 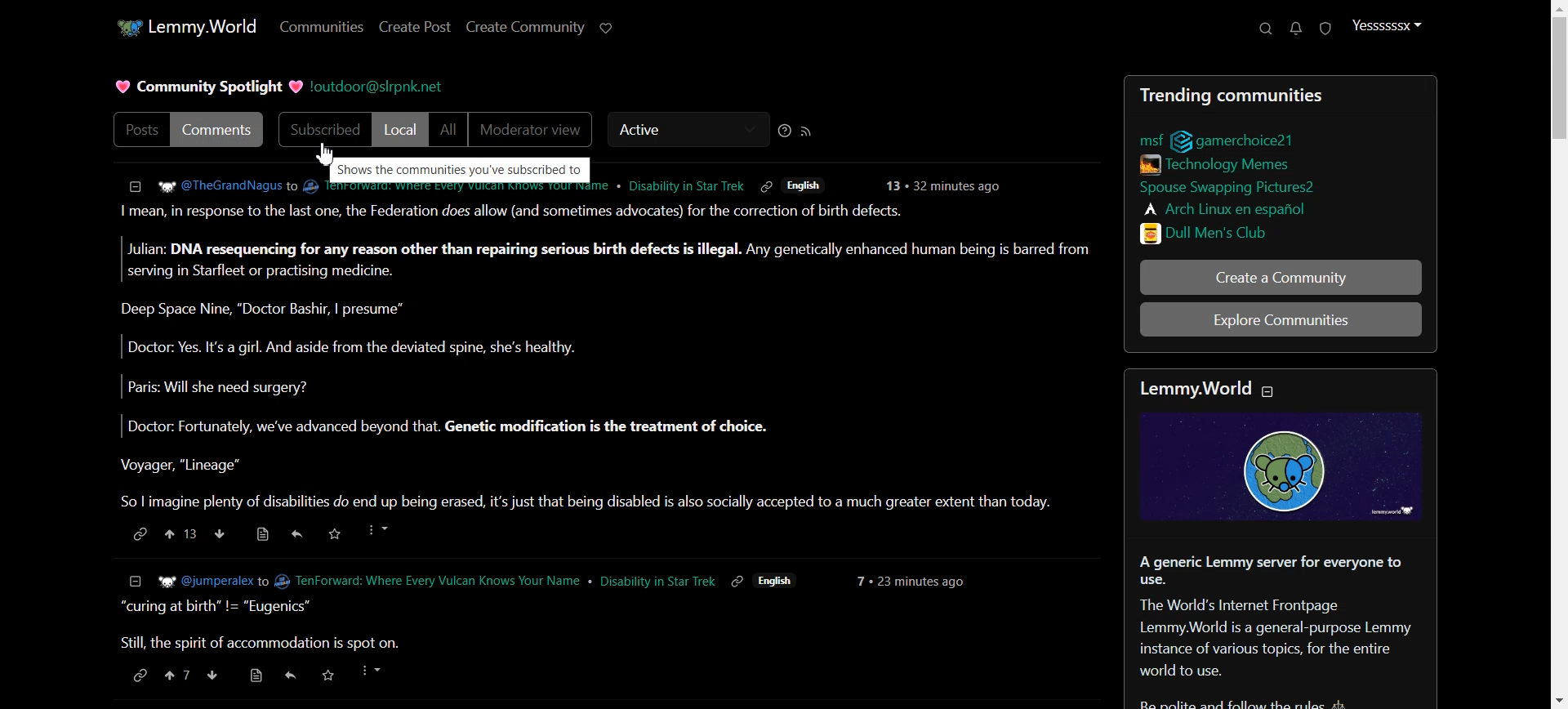 What do you see at coordinates (1297, 29) in the screenshot?
I see `Unread Message` at bounding box center [1297, 29].